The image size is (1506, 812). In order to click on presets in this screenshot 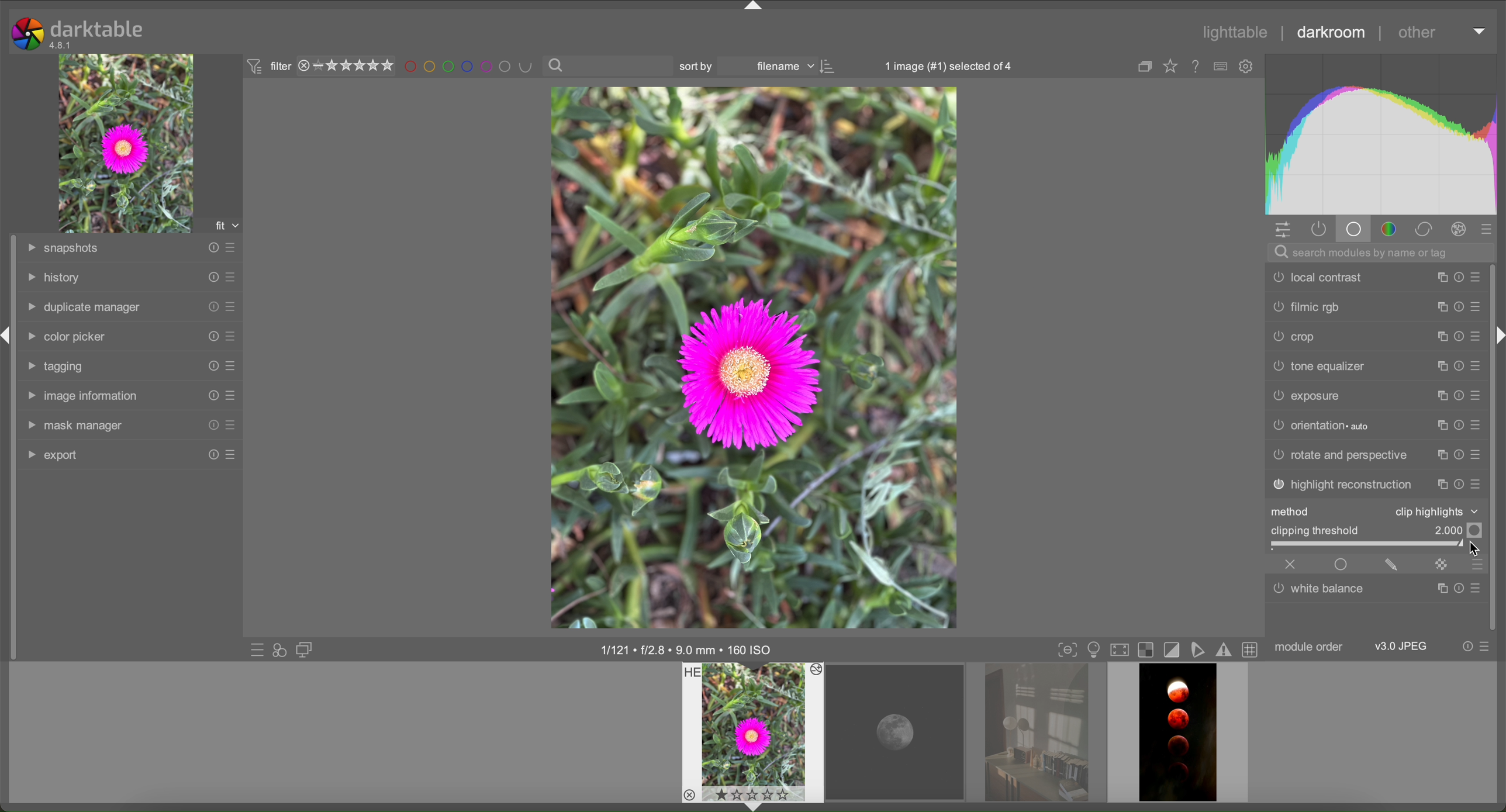, I will do `click(230, 396)`.